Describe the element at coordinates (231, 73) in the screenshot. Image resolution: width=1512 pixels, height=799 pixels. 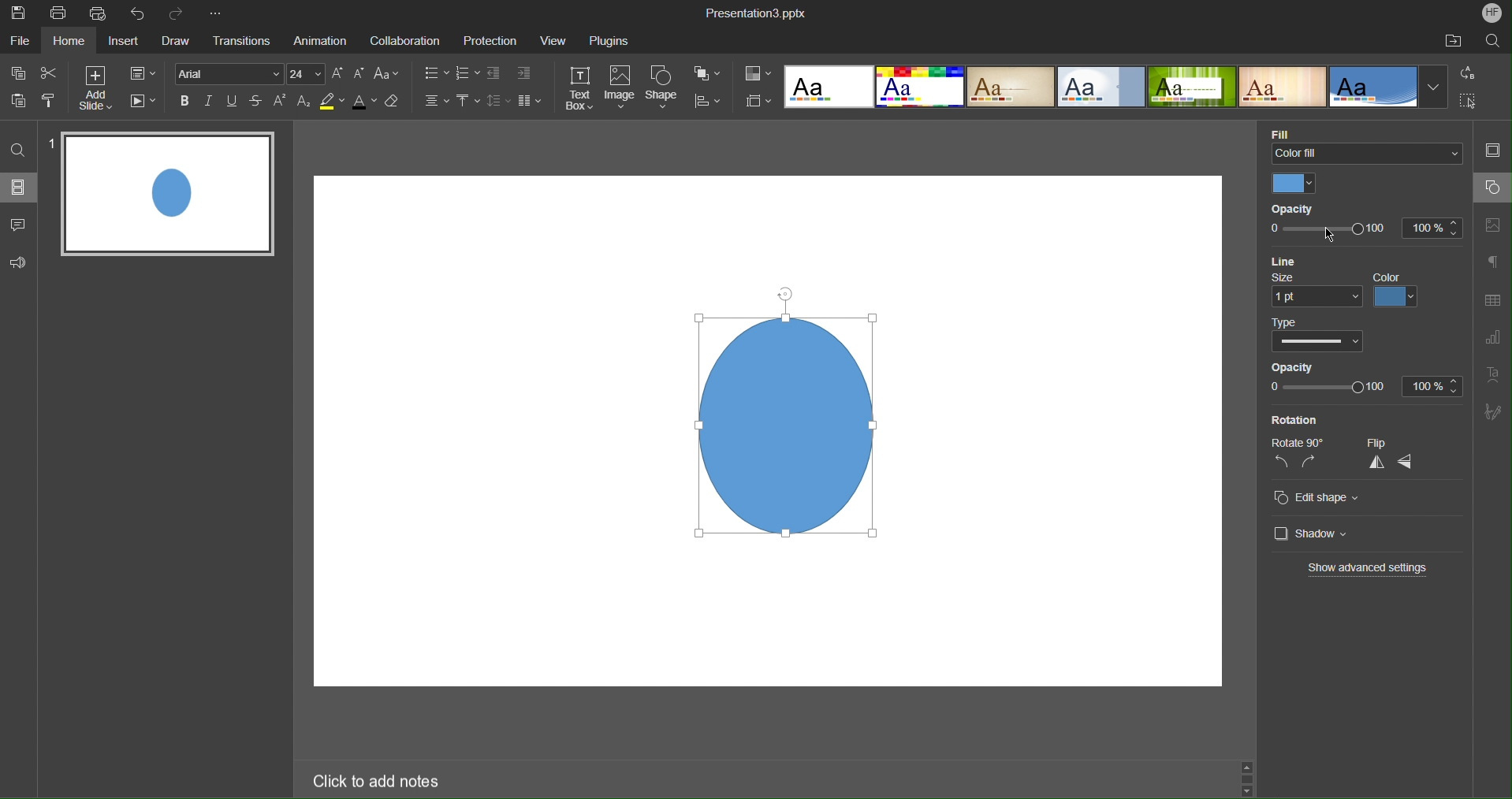
I see `Arial` at that location.